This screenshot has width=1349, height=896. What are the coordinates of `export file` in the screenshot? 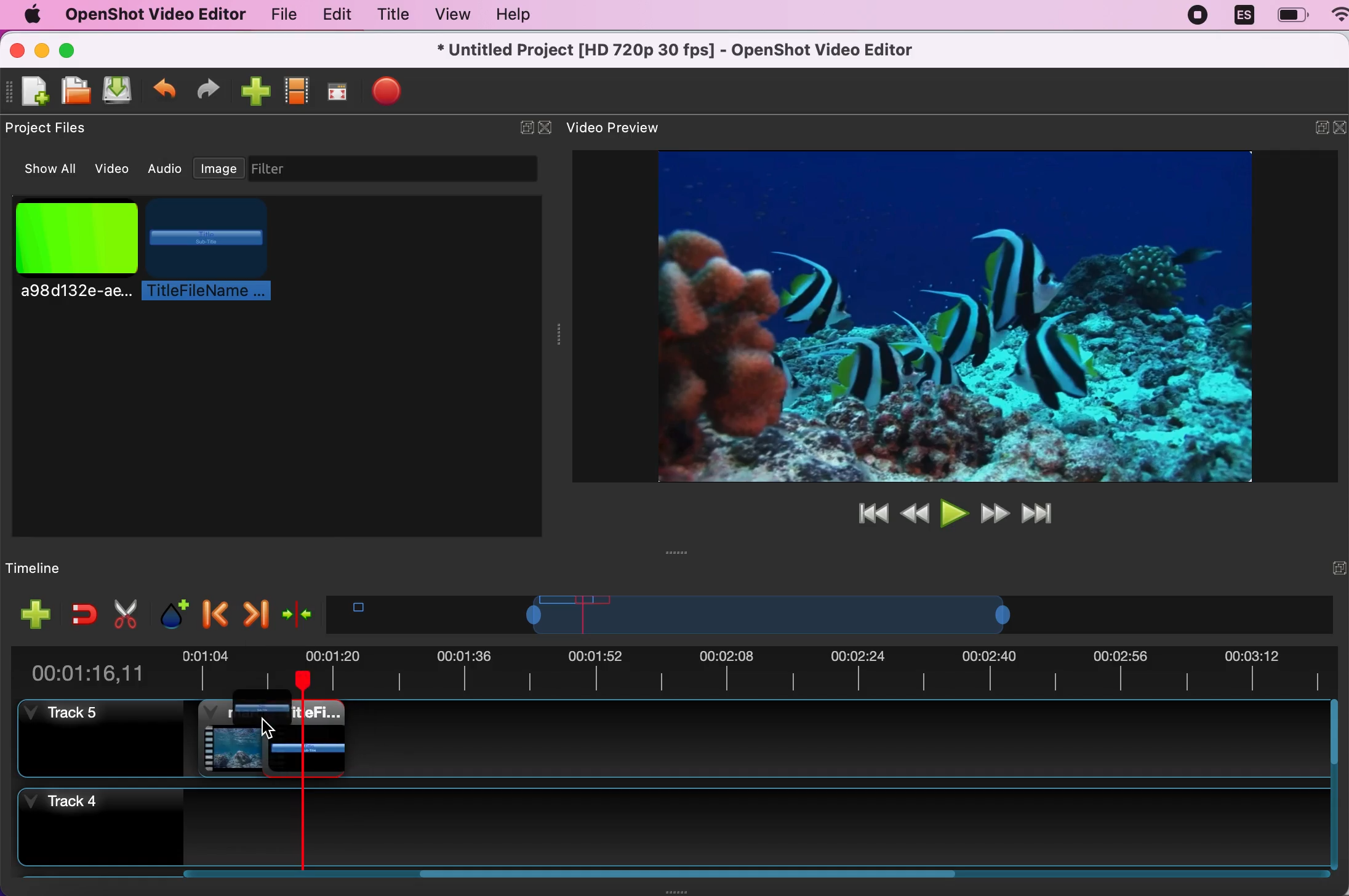 It's located at (396, 94).